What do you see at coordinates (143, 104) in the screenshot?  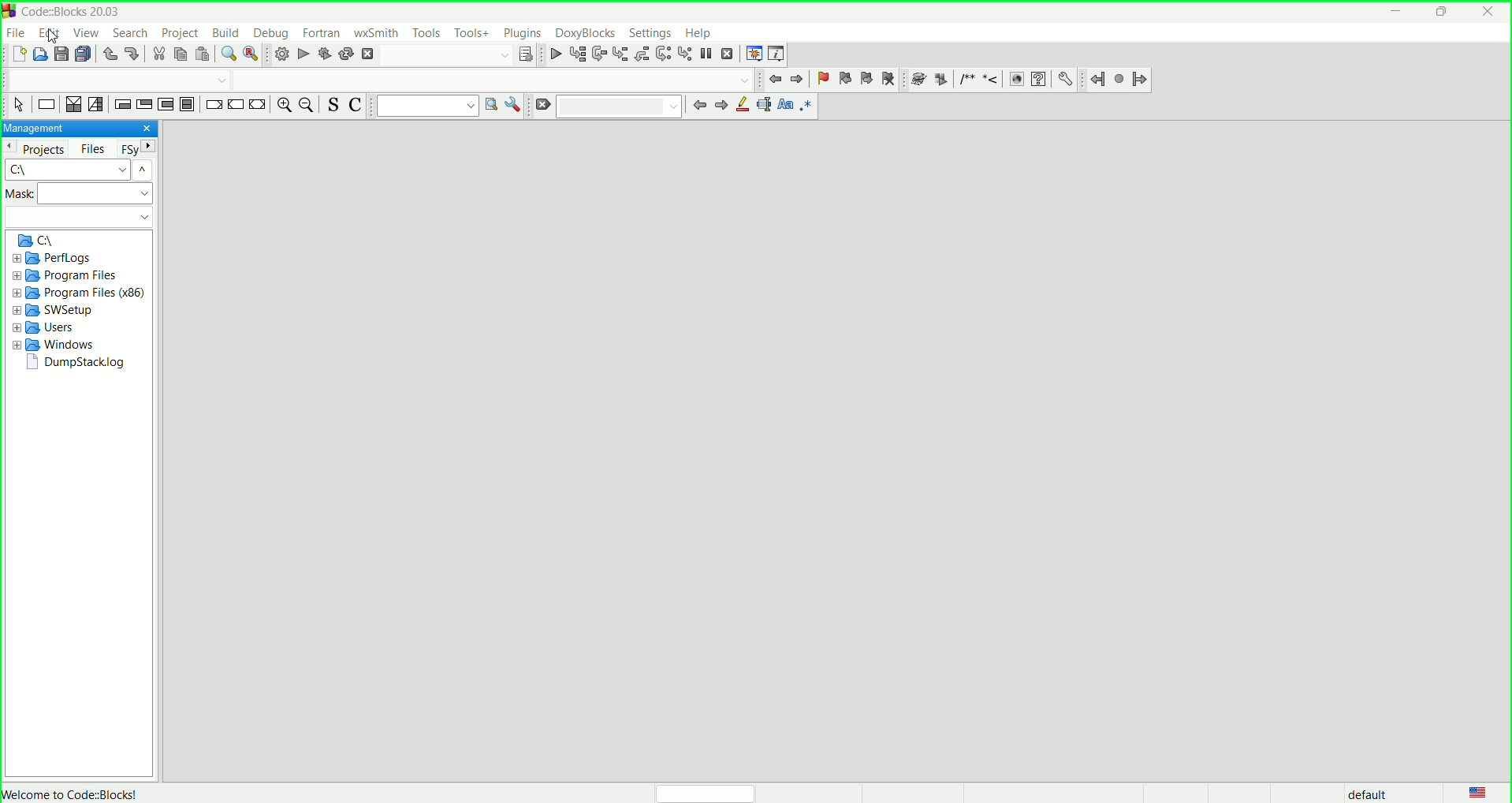 I see `exit condition loop` at bounding box center [143, 104].